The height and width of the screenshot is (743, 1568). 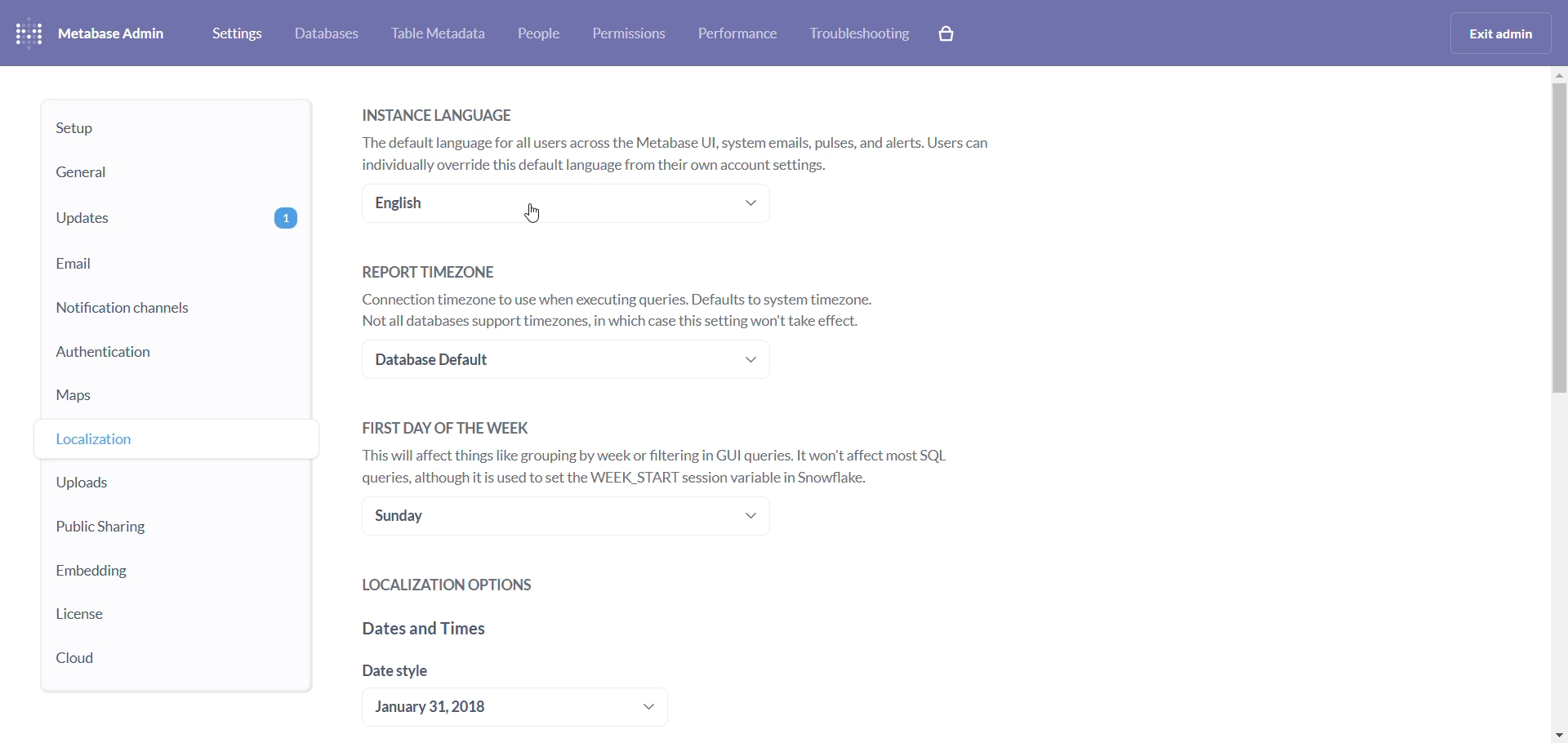 What do you see at coordinates (169, 354) in the screenshot?
I see `authentication` at bounding box center [169, 354].